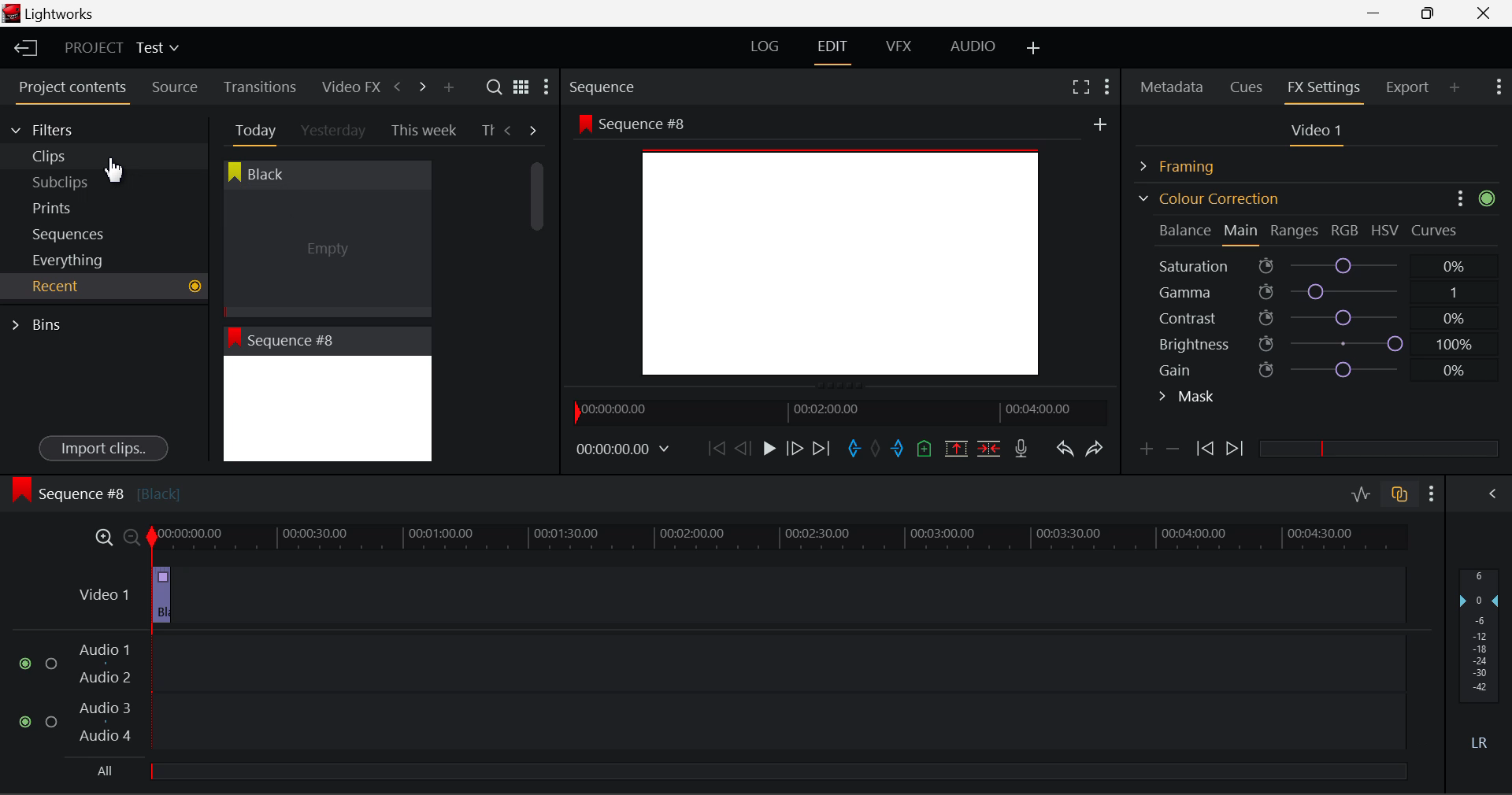  What do you see at coordinates (72, 91) in the screenshot?
I see `Project contents` at bounding box center [72, 91].